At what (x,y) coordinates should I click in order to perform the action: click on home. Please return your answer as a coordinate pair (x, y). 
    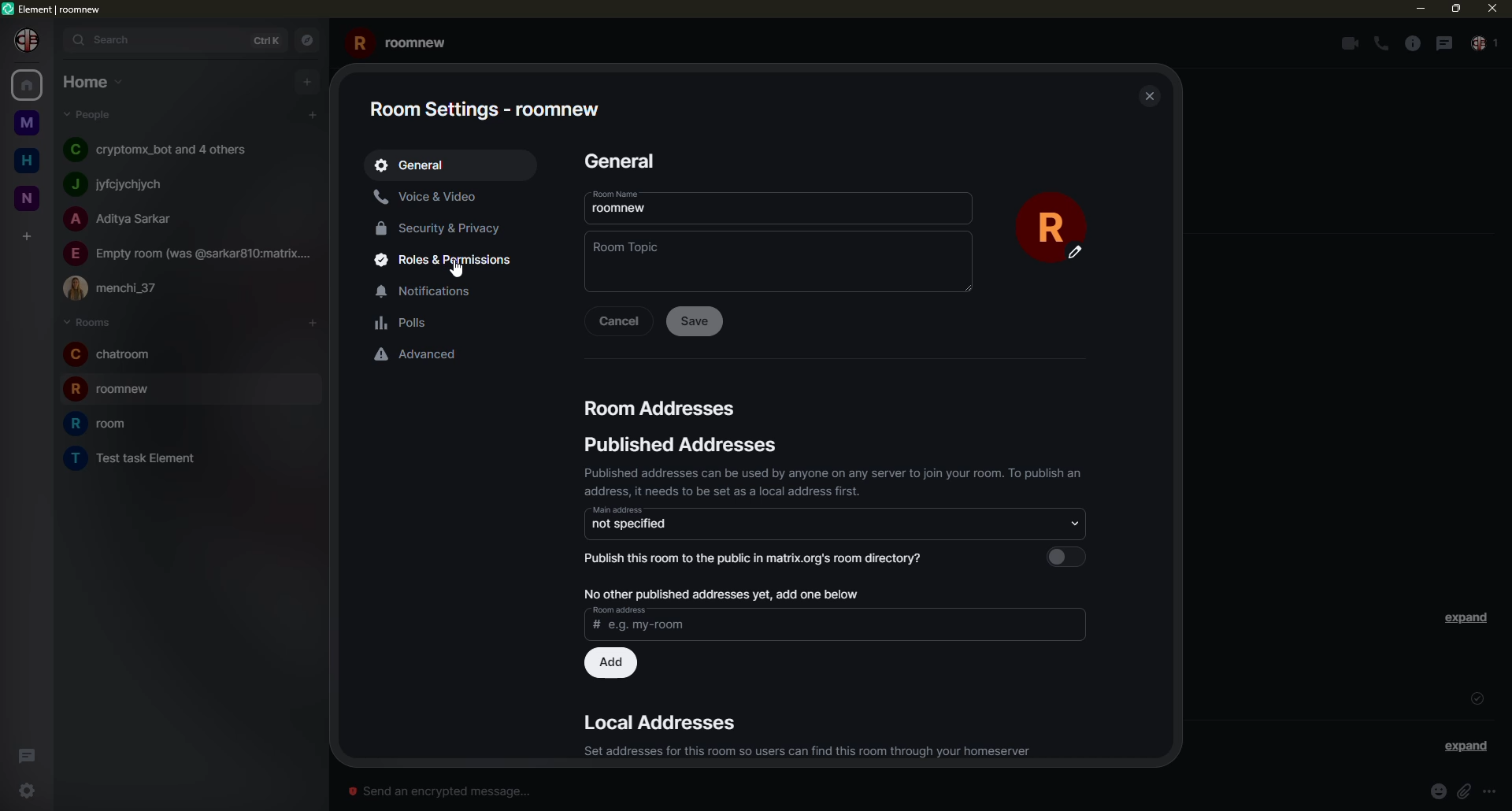
    Looking at the image, I should click on (25, 87).